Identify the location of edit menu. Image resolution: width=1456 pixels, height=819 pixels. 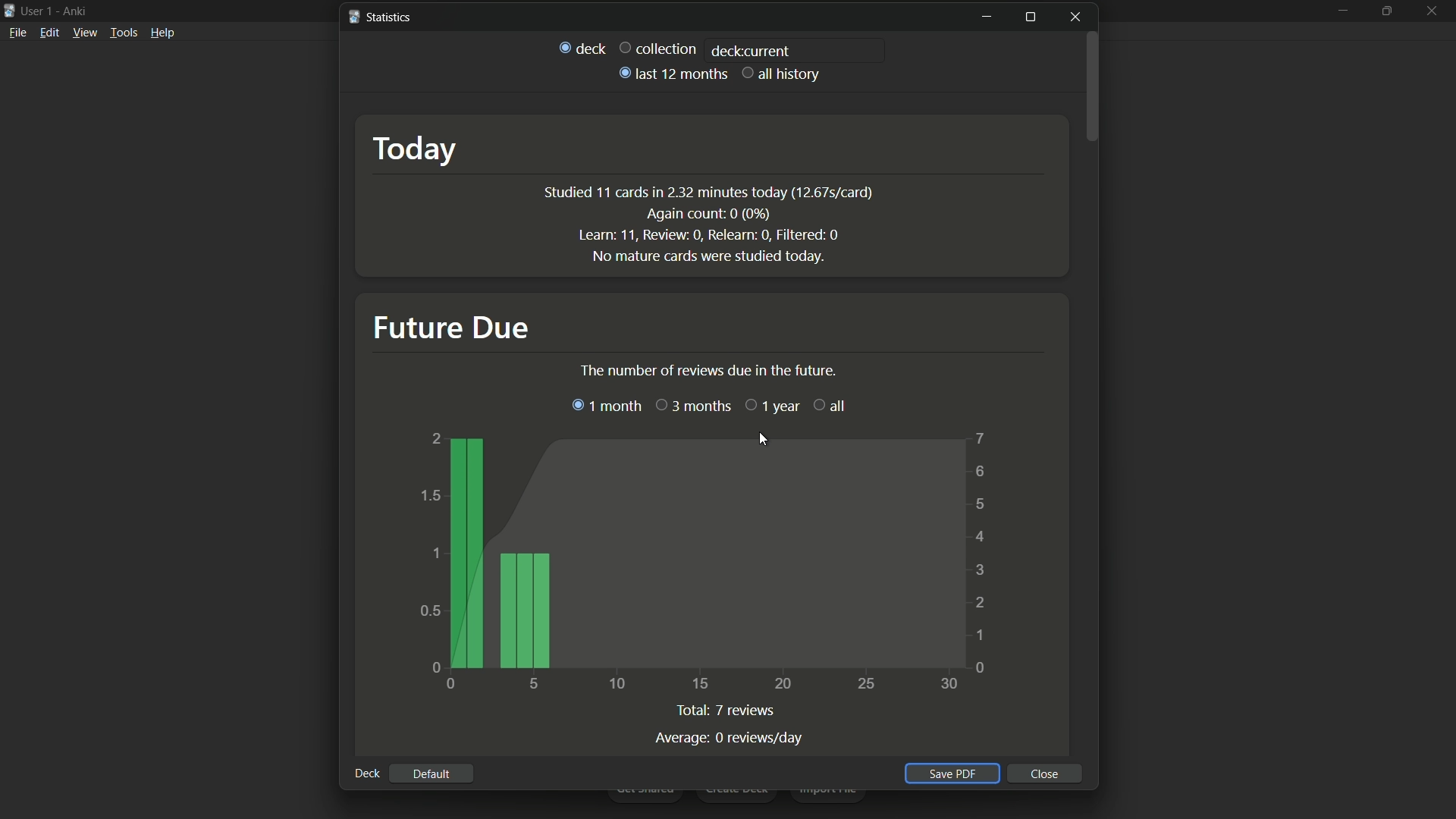
(49, 33).